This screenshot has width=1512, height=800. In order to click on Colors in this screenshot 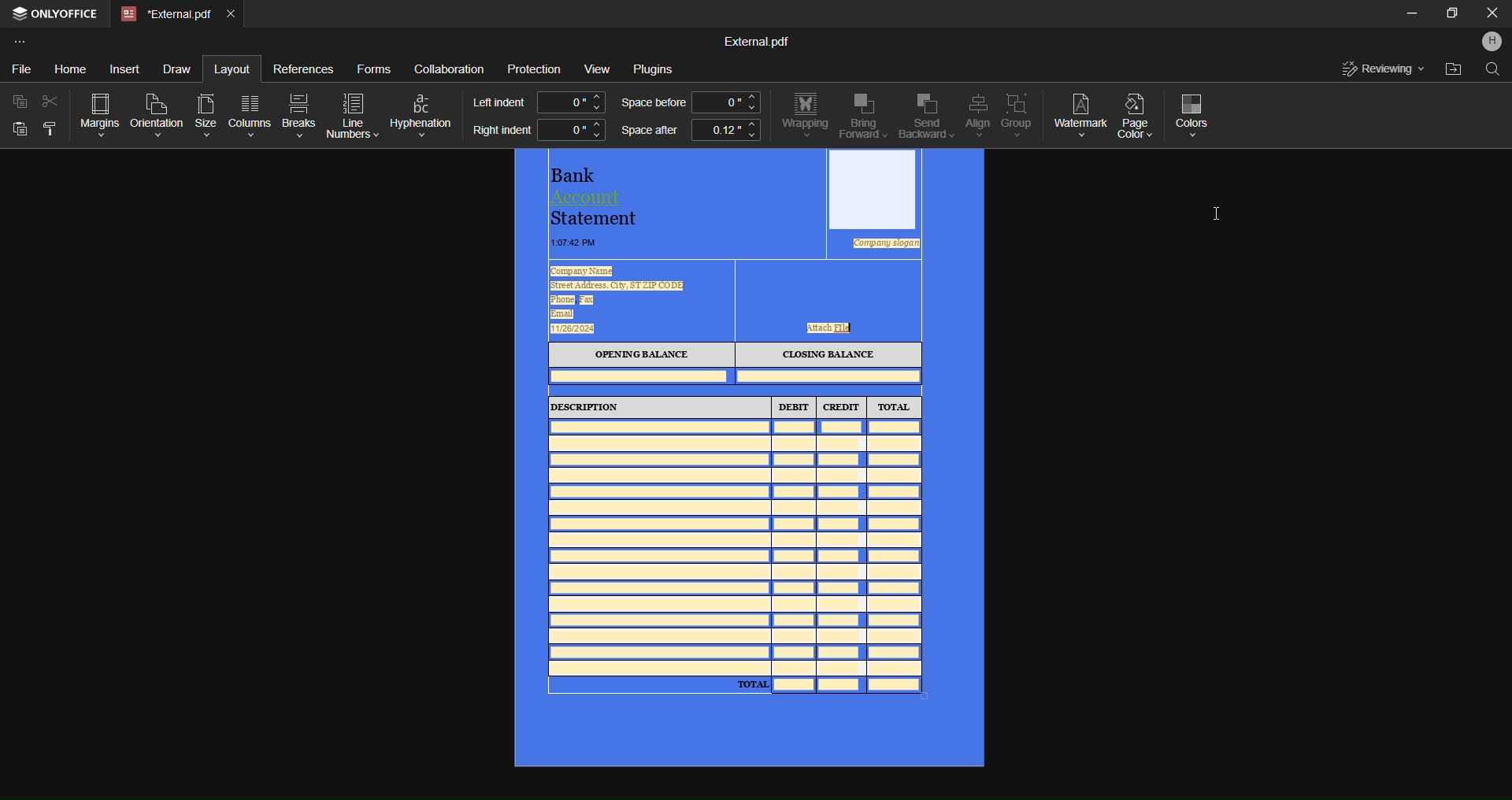, I will do `click(1197, 113)`.